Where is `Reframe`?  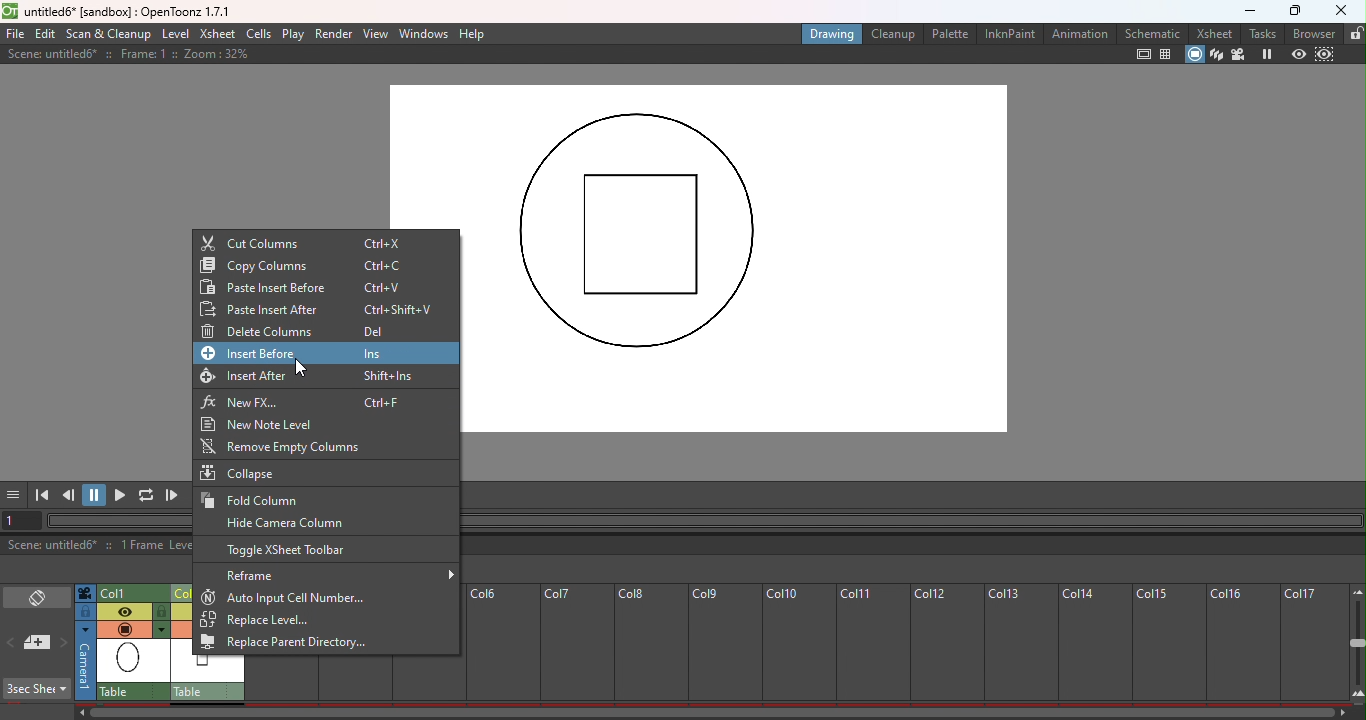
Reframe is located at coordinates (339, 577).